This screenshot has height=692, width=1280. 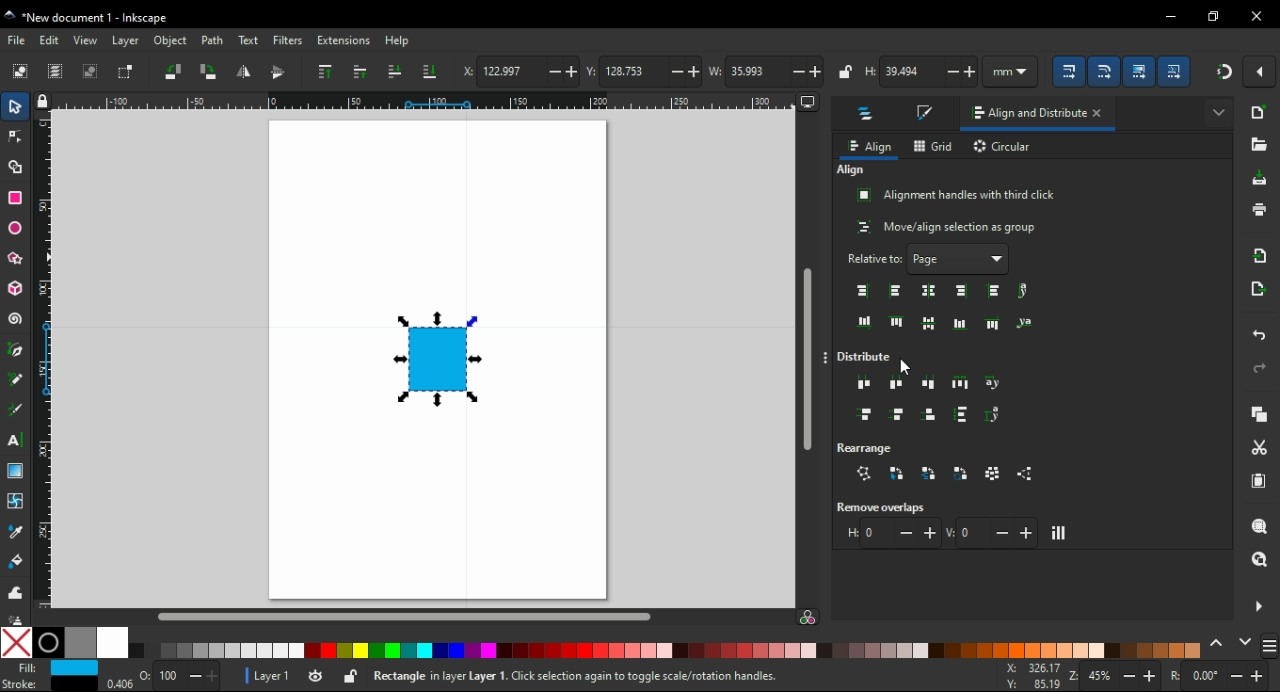 What do you see at coordinates (865, 416) in the screenshot?
I see `distribute vertically with even spacing between top edges` at bounding box center [865, 416].